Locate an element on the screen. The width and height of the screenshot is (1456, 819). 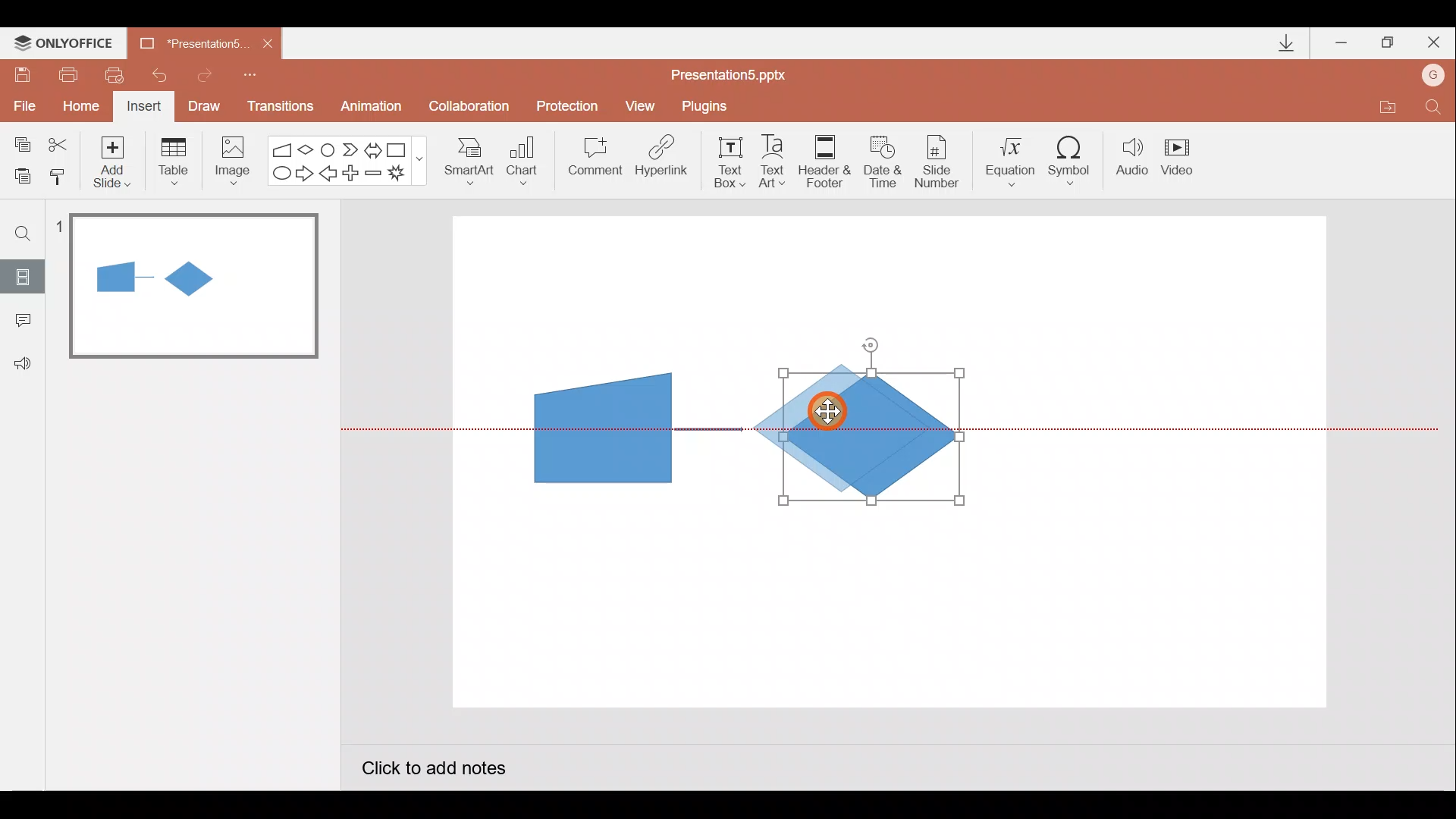
Copy style is located at coordinates (59, 174).